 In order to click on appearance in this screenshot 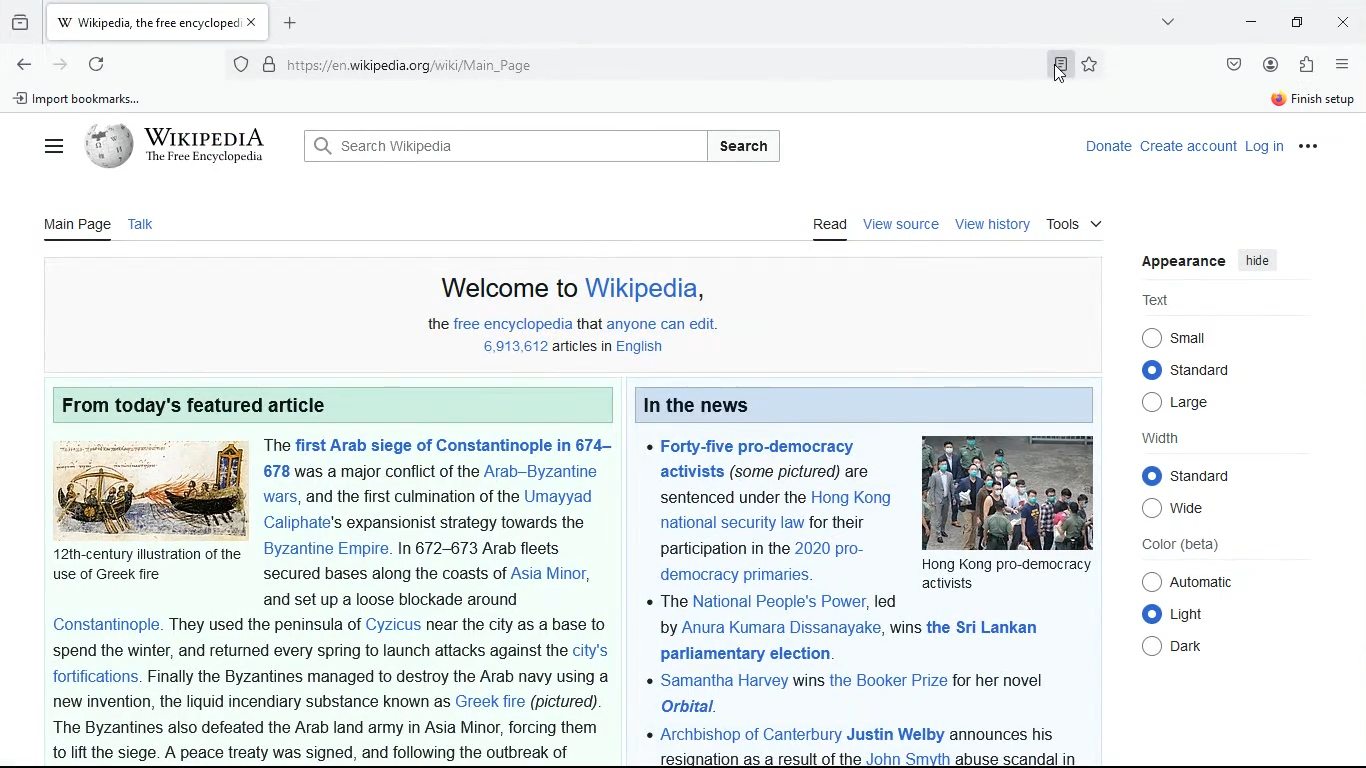, I will do `click(1185, 264)`.